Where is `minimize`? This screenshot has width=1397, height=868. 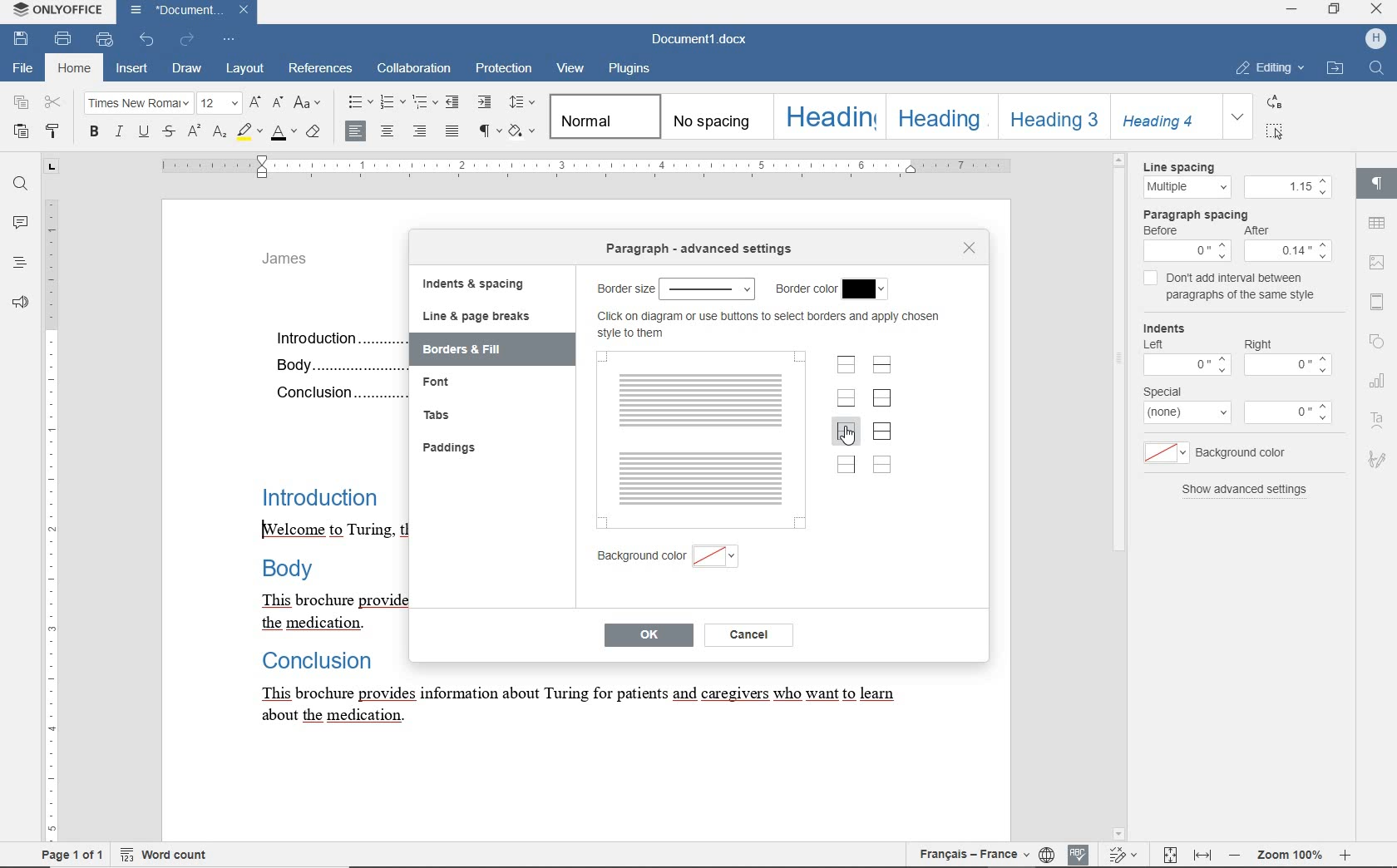
minimize is located at coordinates (1291, 9).